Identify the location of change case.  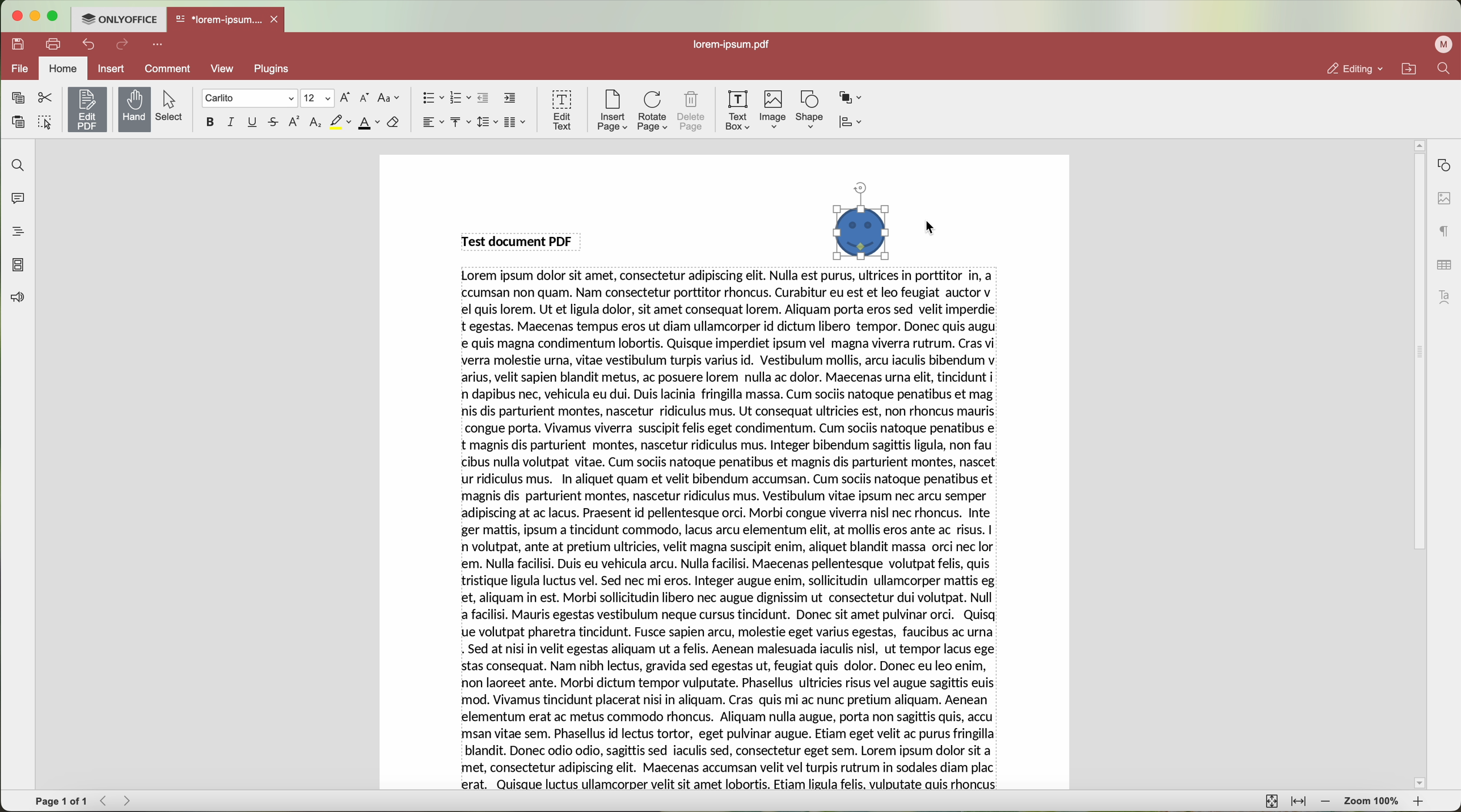
(389, 98).